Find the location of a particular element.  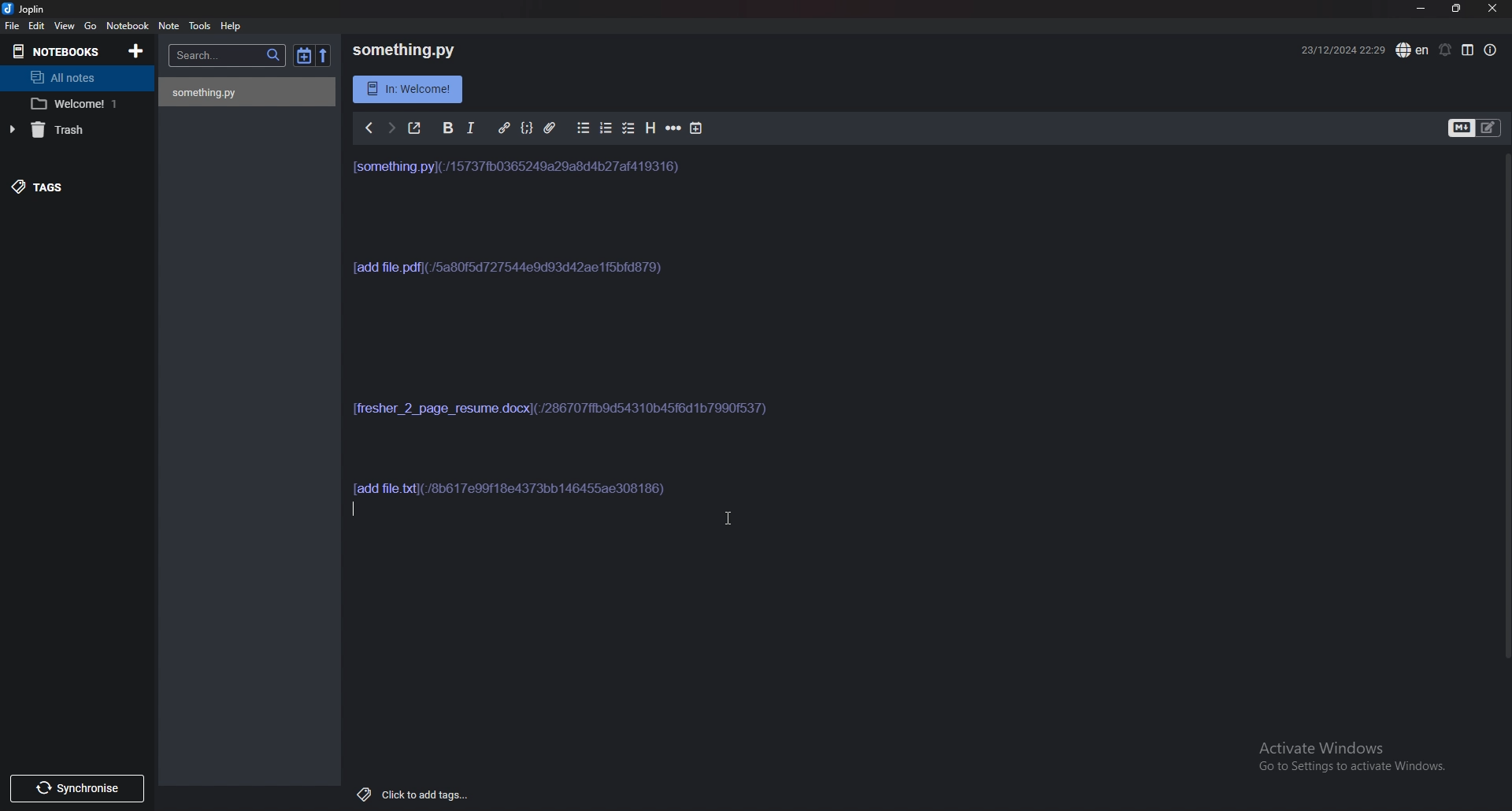

Language is located at coordinates (1412, 50).